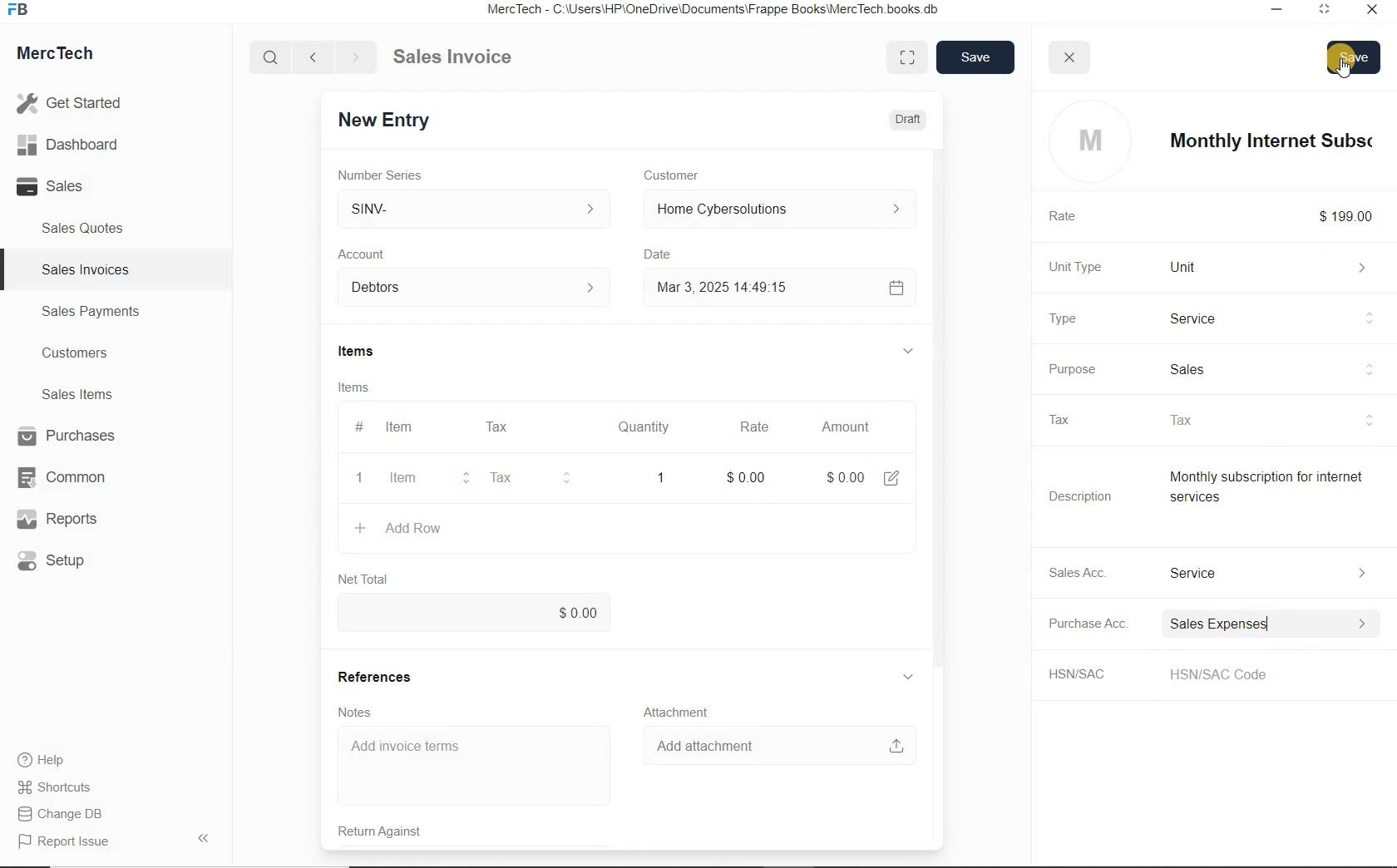 The width and height of the screenshot is (1397, 868). What do you see at coordinates (1226, 673) in the screenshot?
I see `HSN/SAC Code` at bounding box center [1226, 673].